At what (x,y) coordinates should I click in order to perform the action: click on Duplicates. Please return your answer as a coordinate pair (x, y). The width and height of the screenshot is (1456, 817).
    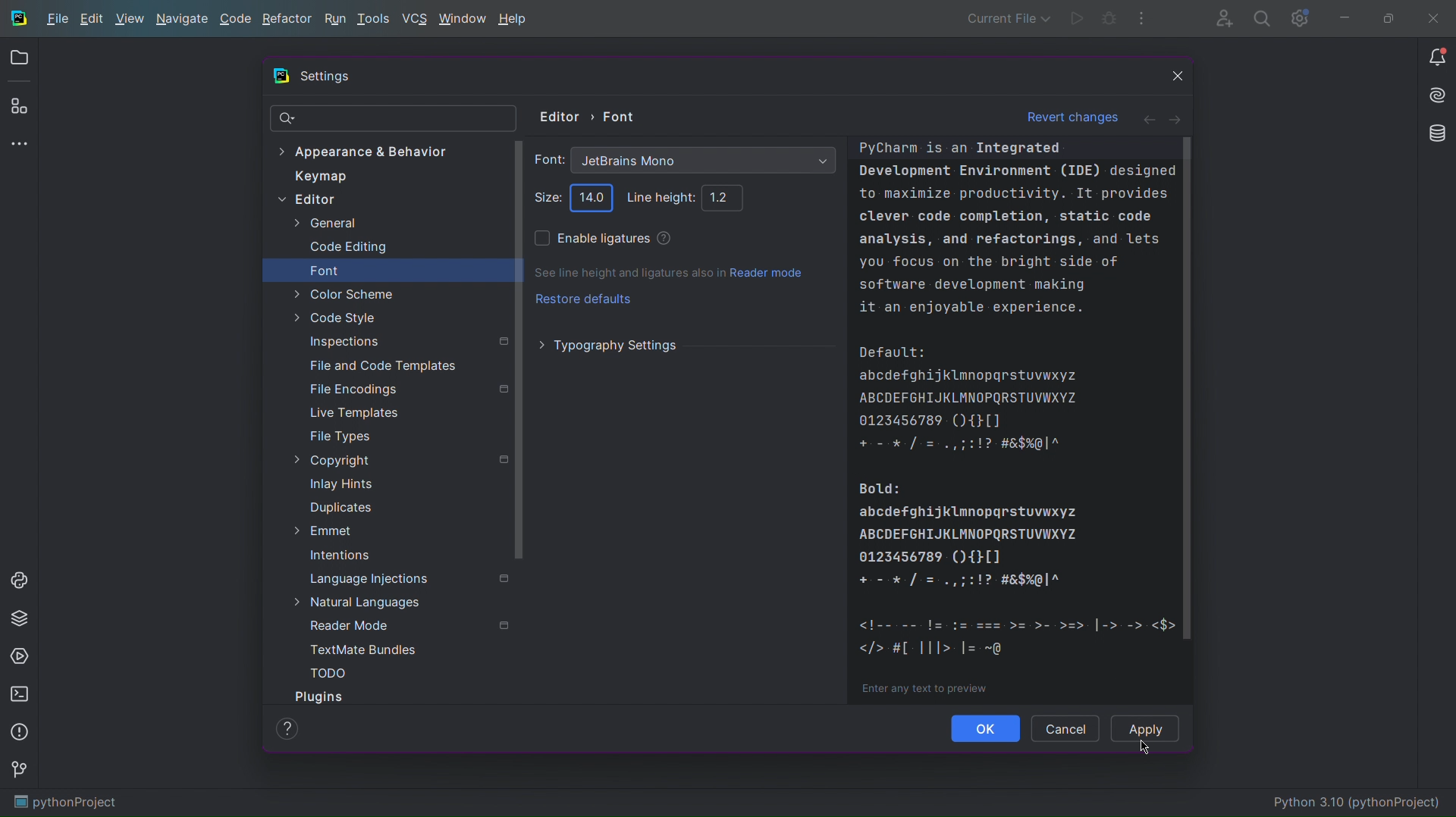
    Looking at the image, I should click on (338, 508).